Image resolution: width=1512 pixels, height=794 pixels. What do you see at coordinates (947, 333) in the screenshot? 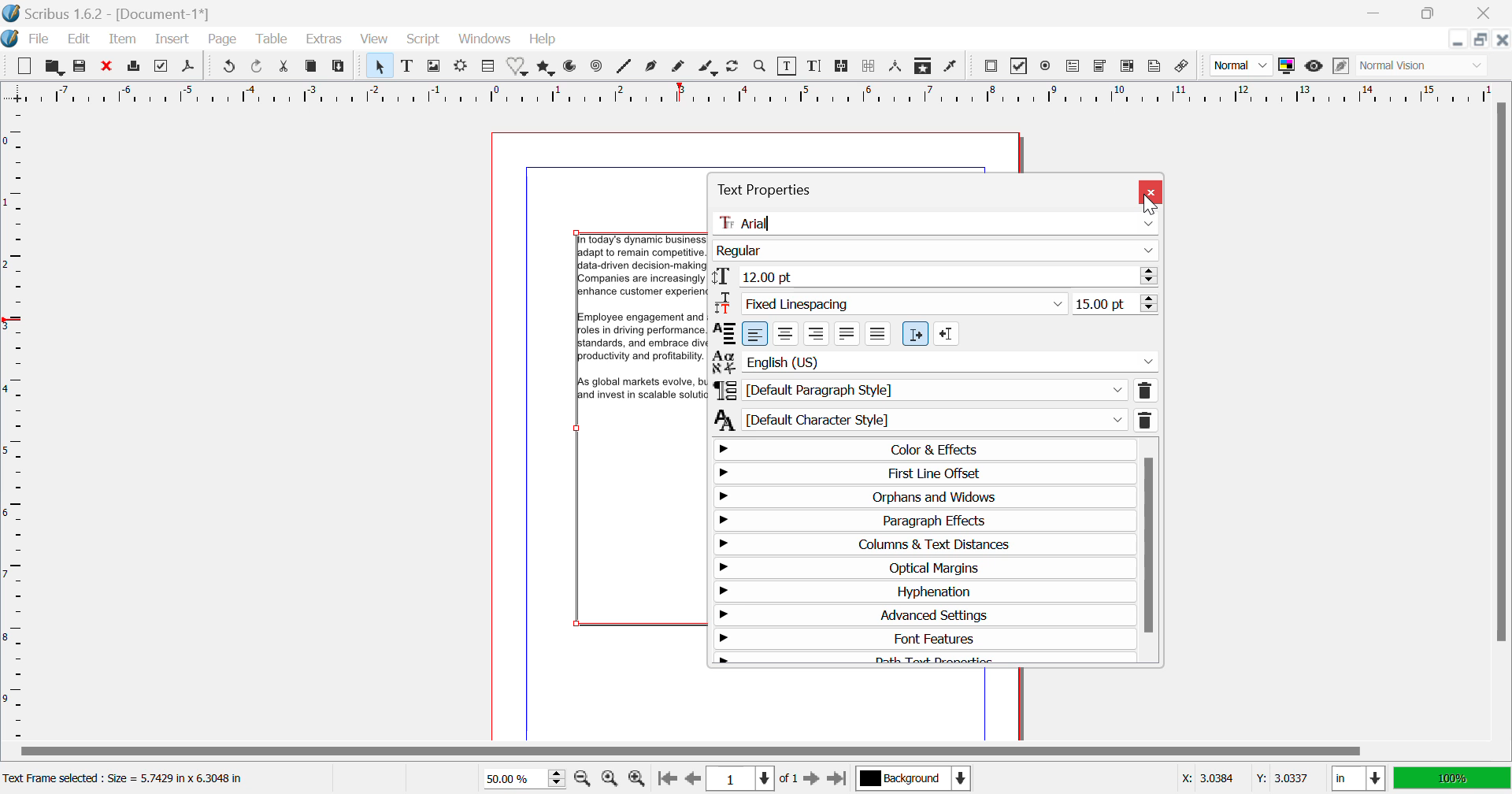
I see `Right to left paragraph` at bounding box center [947, 333].